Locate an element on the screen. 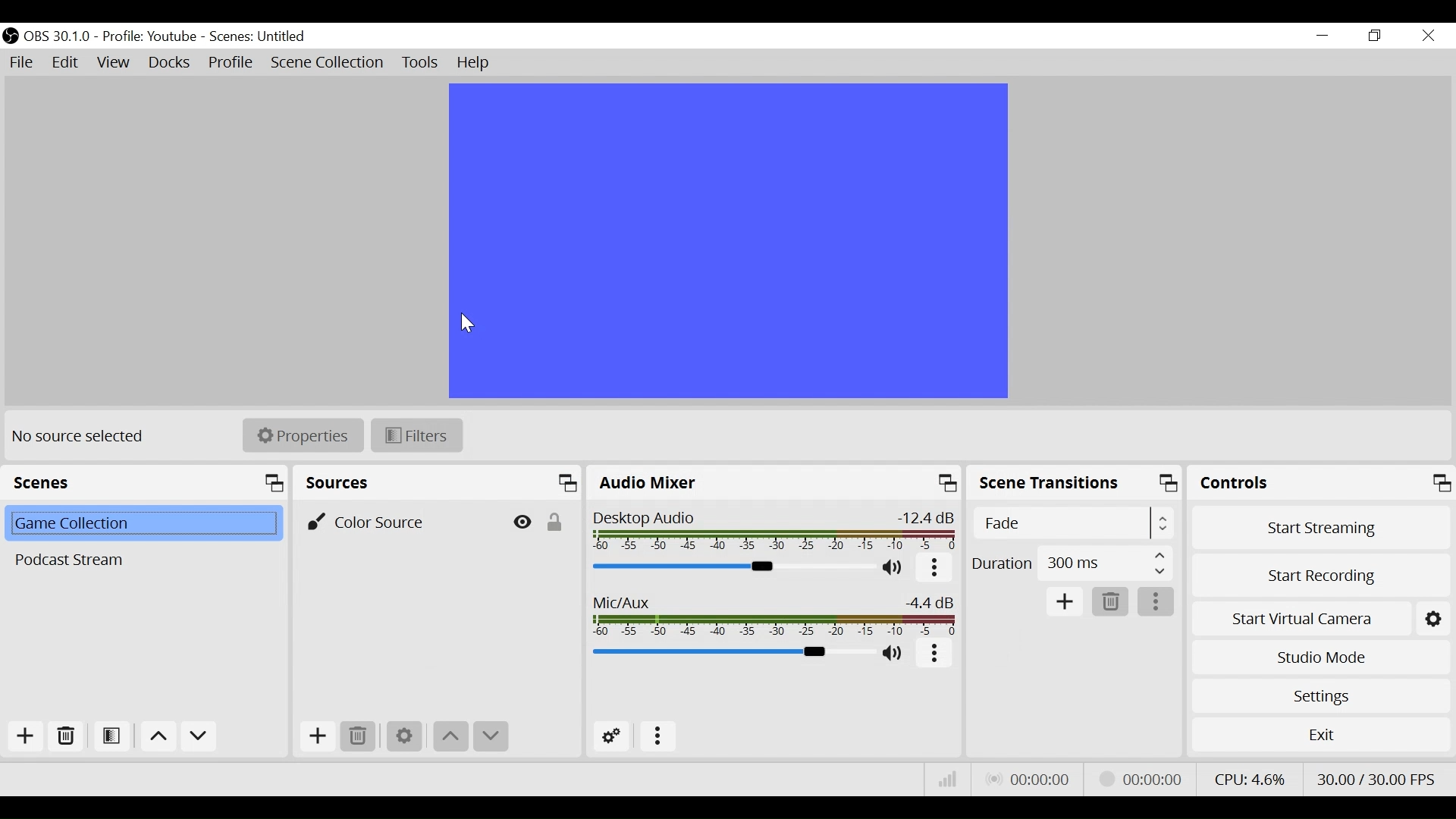 The width and height of the screenshot is (1456, 819). Settings is located at coordinates (1318, 696).